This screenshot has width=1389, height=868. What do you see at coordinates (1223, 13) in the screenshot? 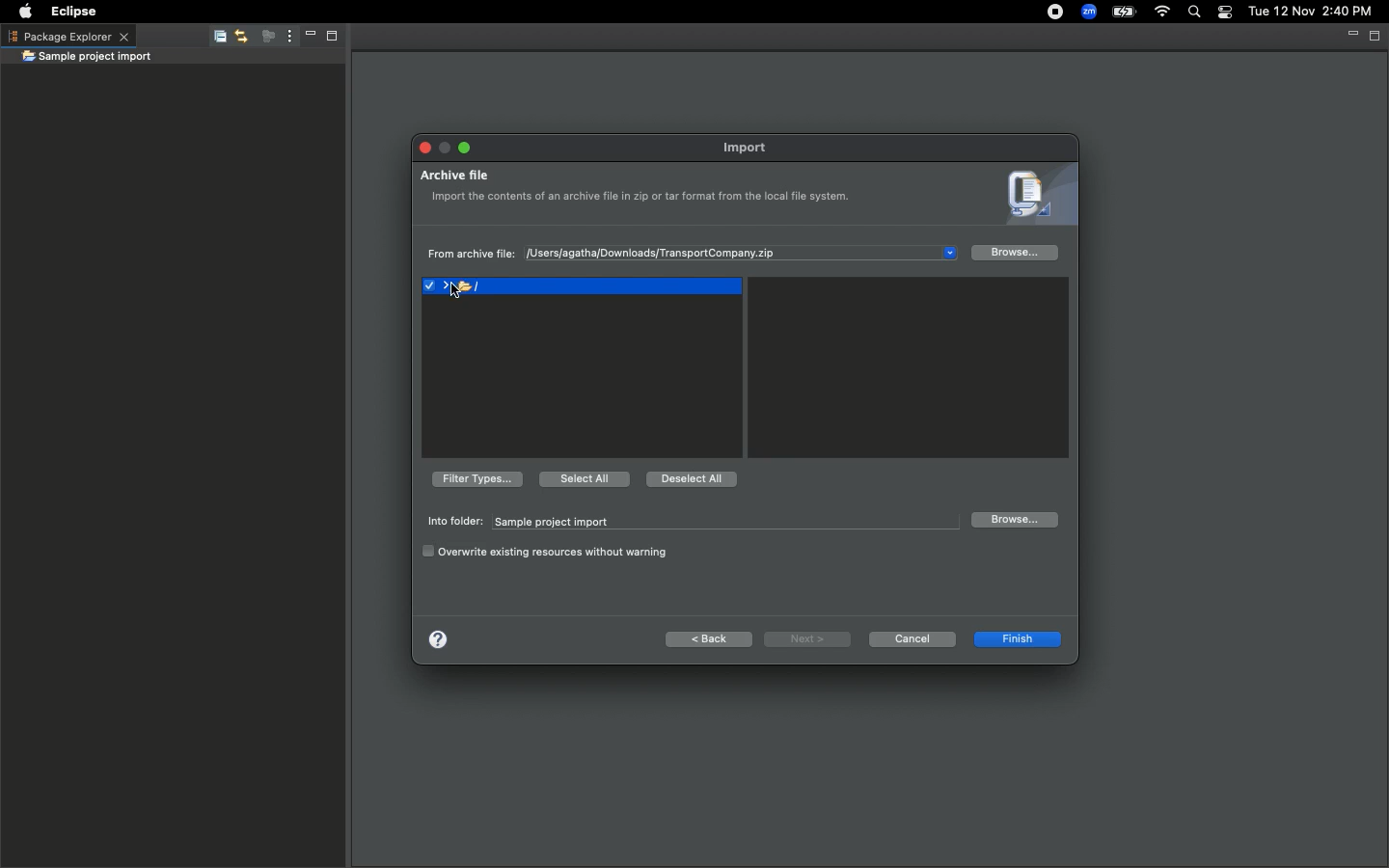
I see `control center` at bounding box center [1223, 13].